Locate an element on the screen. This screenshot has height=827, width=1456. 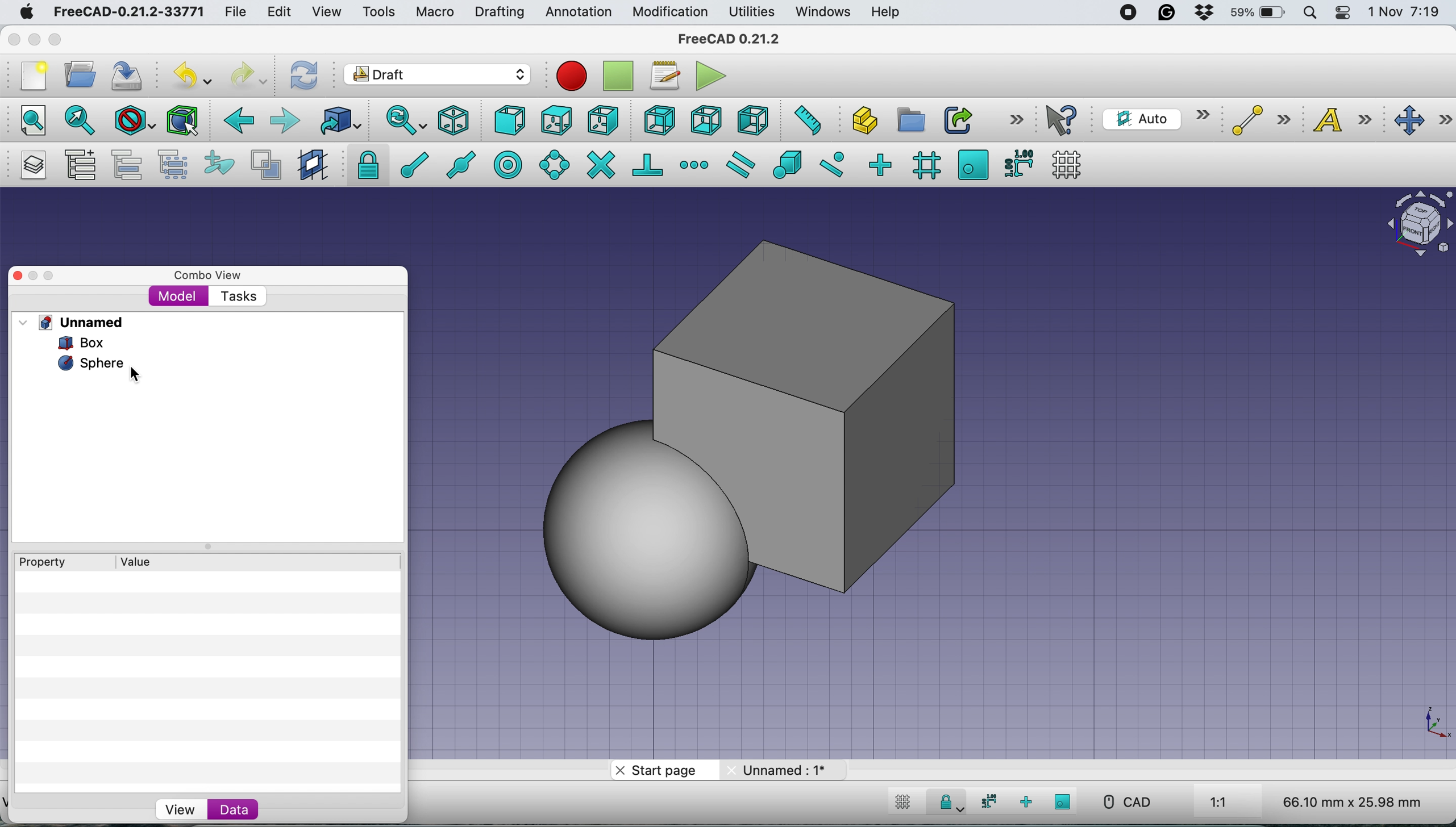
snap dimensions is located at coordinates (986, 801).